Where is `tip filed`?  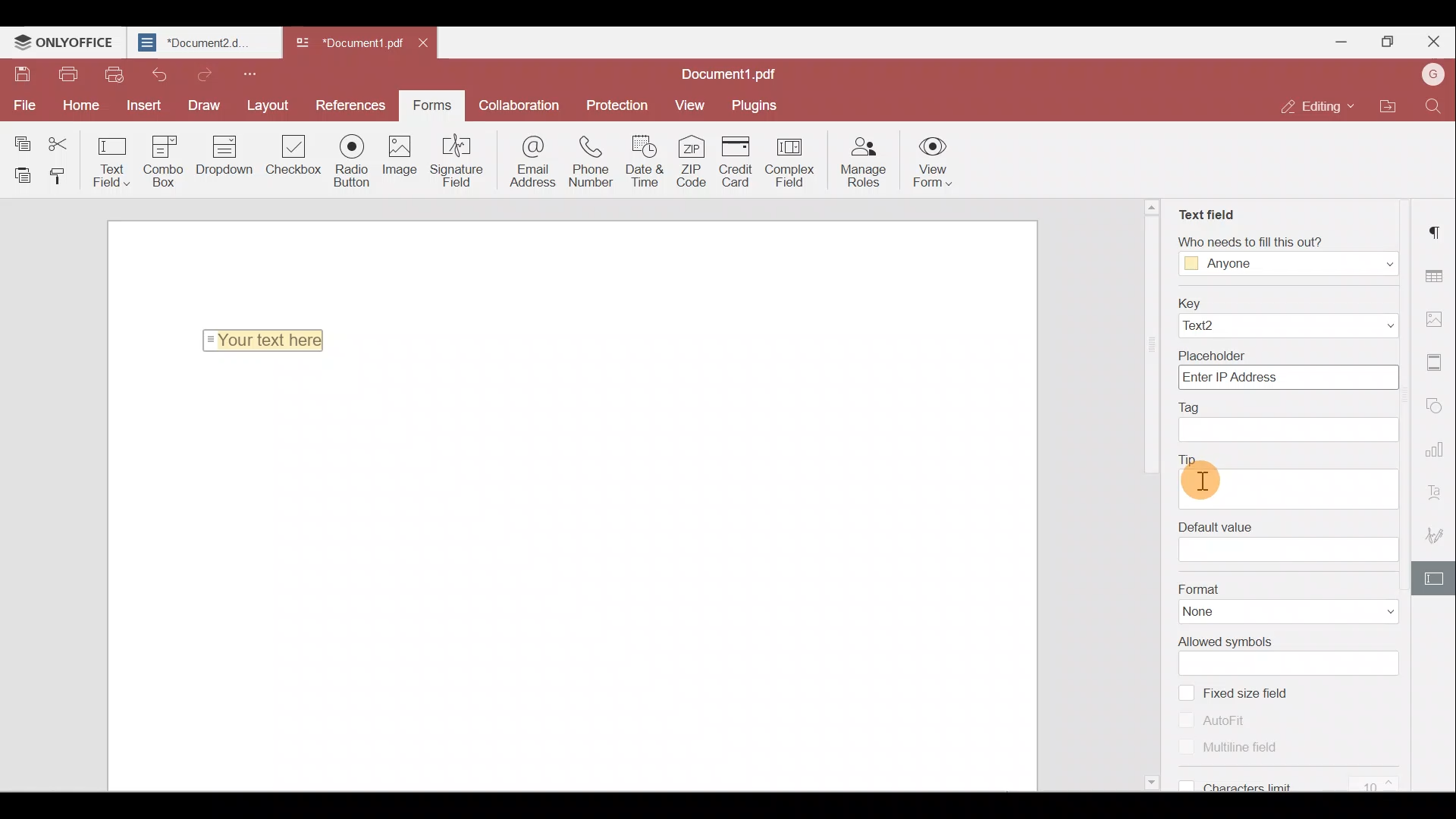 tip filed is located at coordinates (1288, 484).